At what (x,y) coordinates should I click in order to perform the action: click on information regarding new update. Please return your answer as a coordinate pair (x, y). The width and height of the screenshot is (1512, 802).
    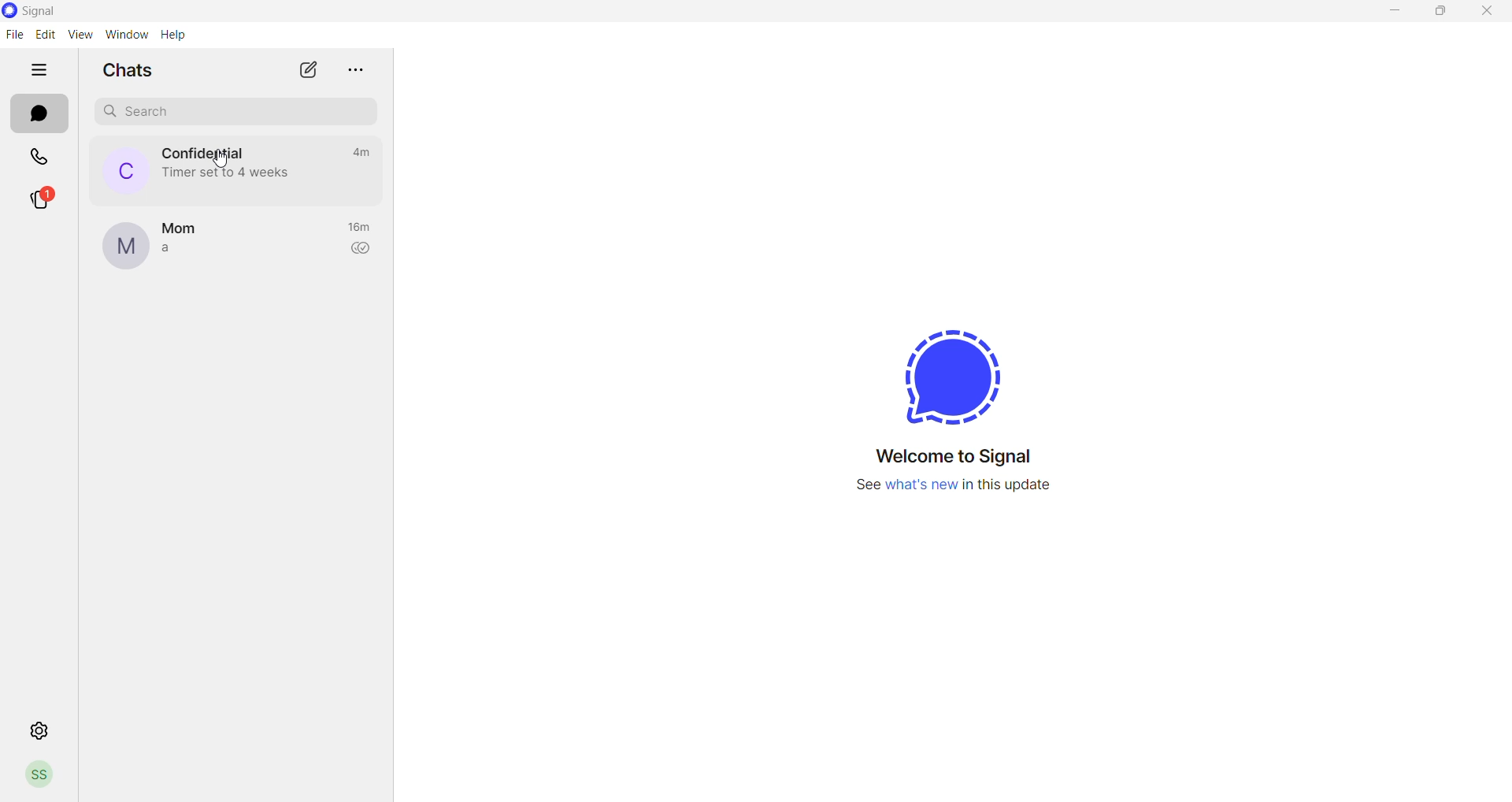
    Looking at the image, I should click on (954, 489).